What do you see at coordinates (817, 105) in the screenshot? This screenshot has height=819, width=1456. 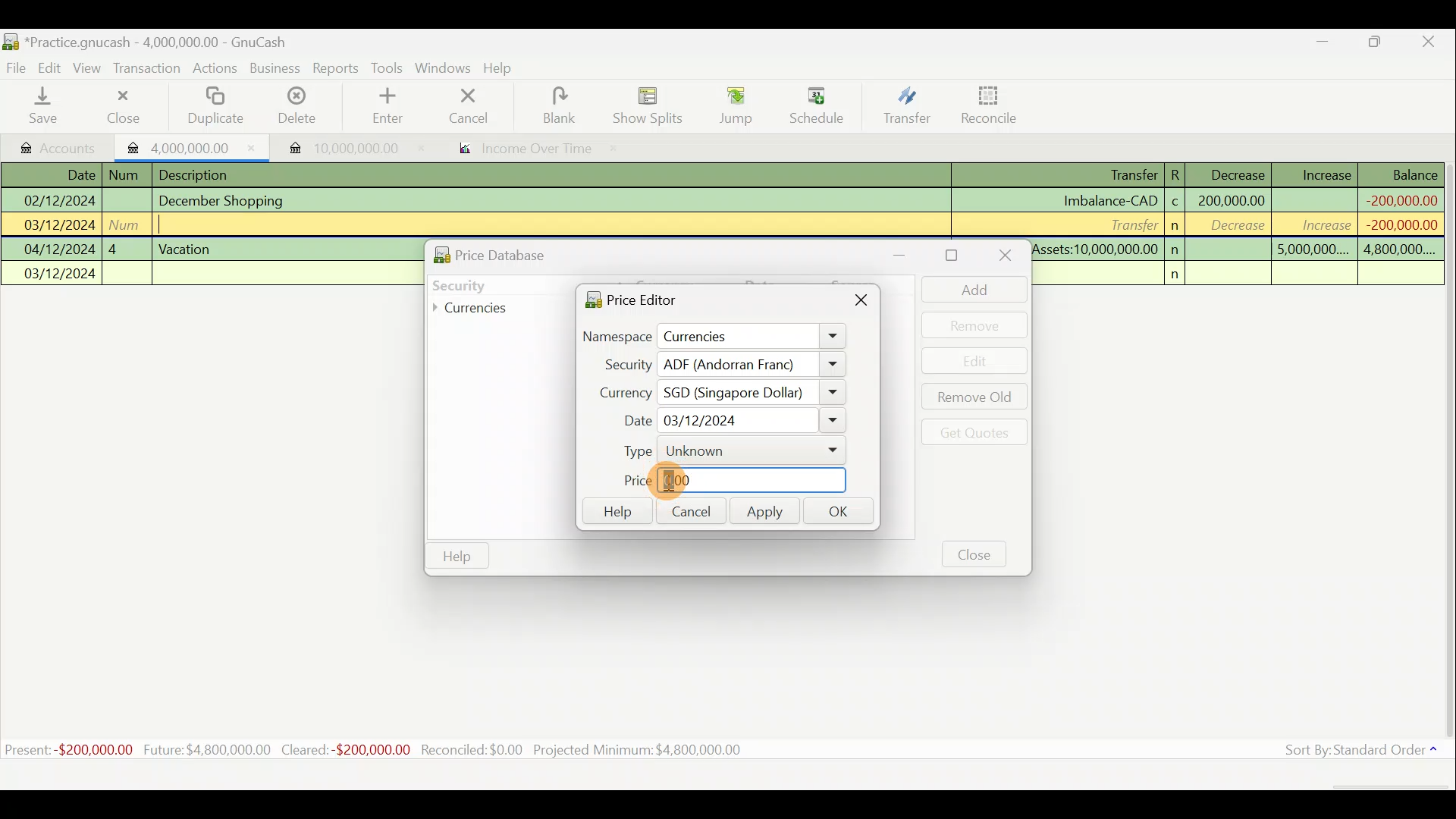 I see `Schedule` at bounding box center [817, 105].